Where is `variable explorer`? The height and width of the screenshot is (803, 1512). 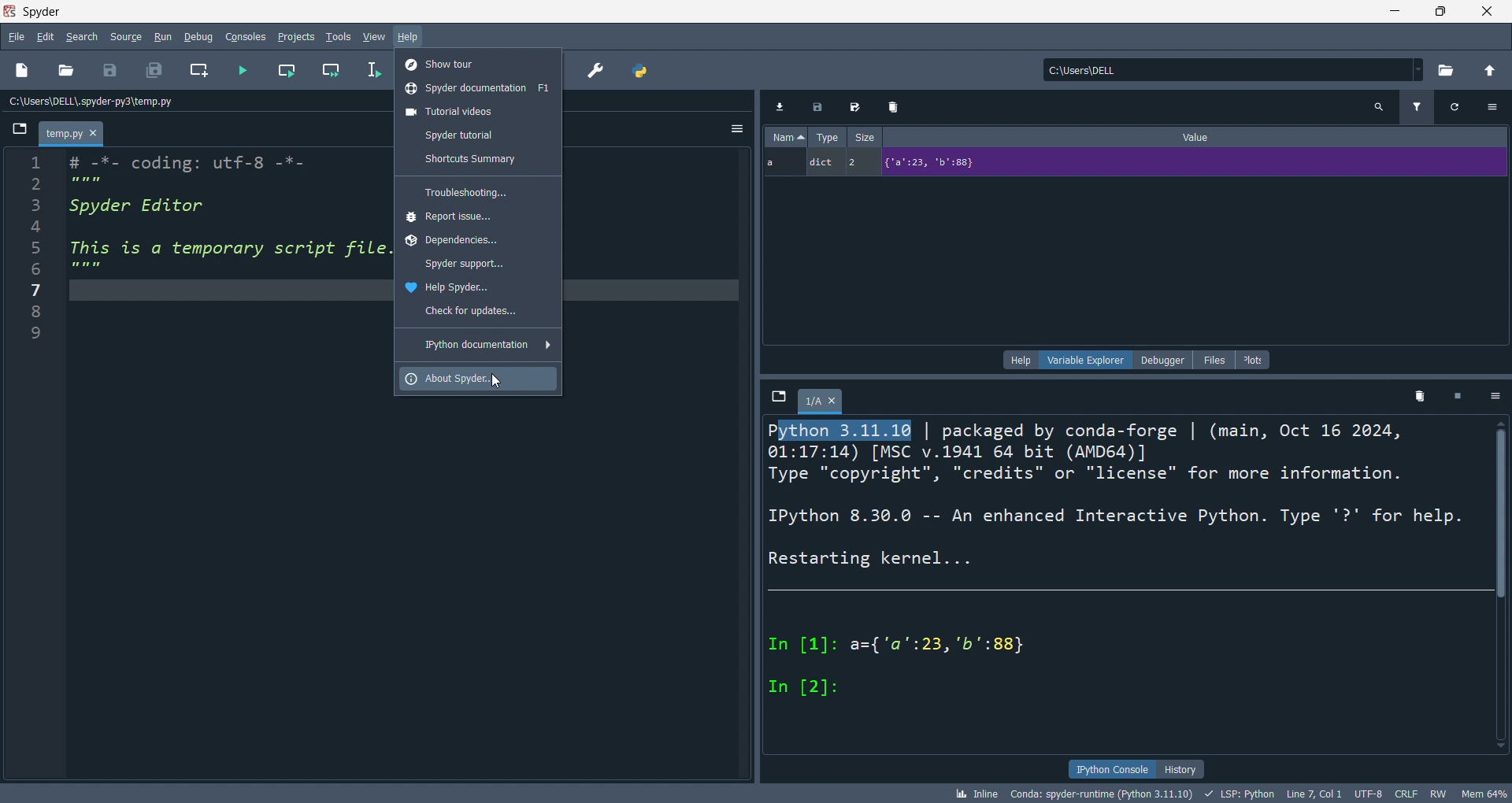
variable explorer is located at coordinates (1085, 359).